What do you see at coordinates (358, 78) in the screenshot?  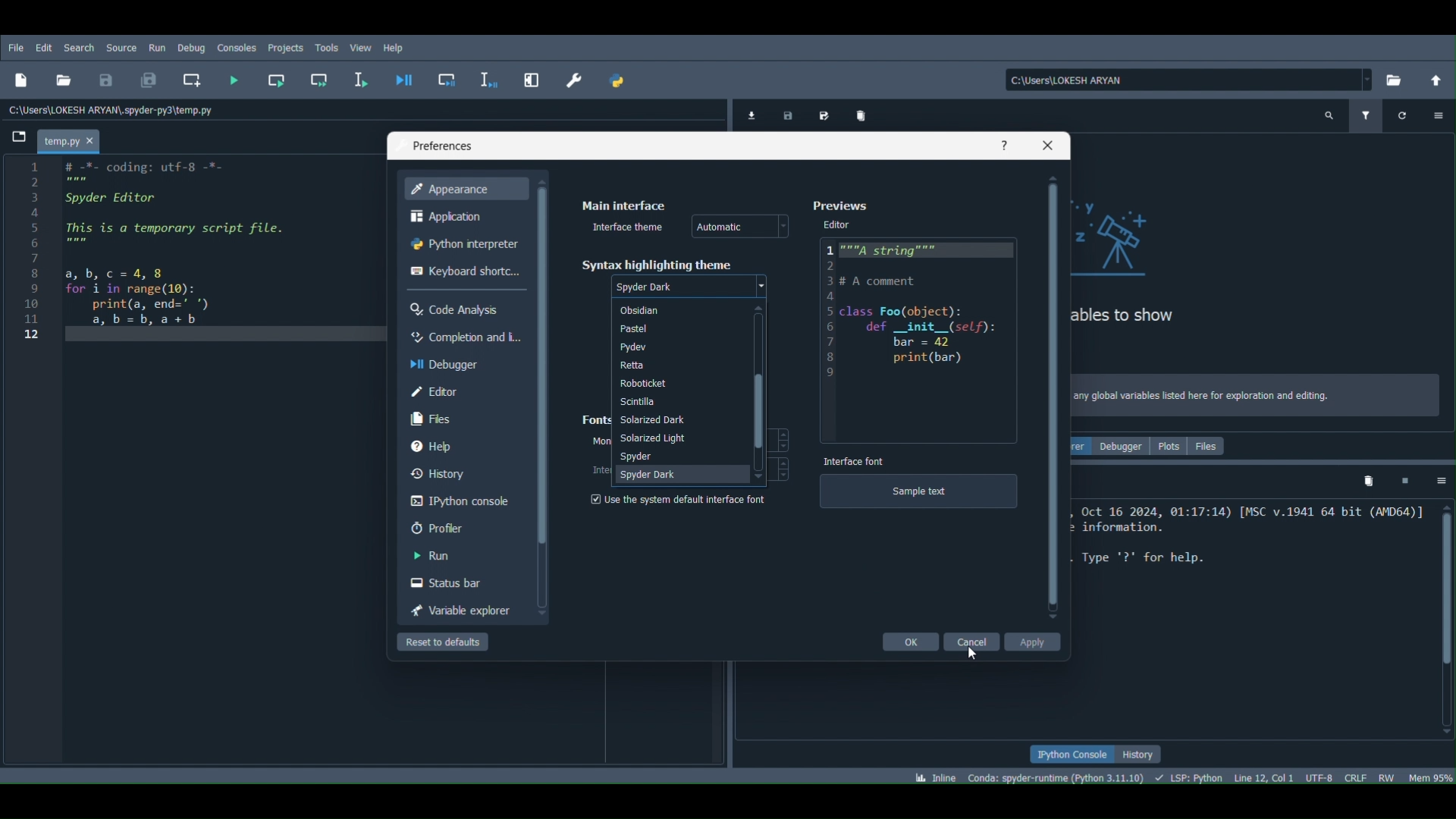 I see `Run selection or current line (F9)` at bounding box center [358, 78].